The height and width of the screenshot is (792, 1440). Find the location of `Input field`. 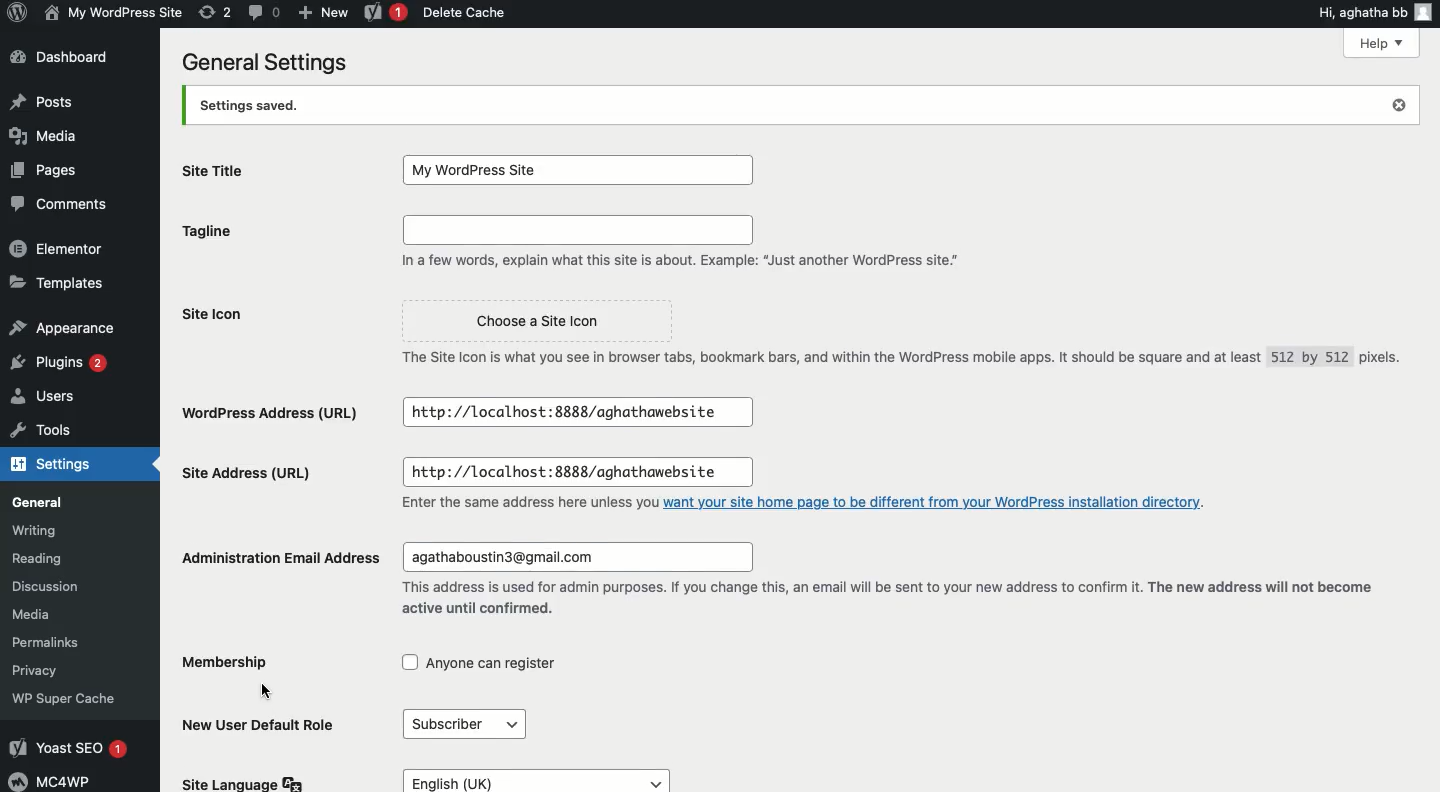

Input field is located at coordinates (576, 231).